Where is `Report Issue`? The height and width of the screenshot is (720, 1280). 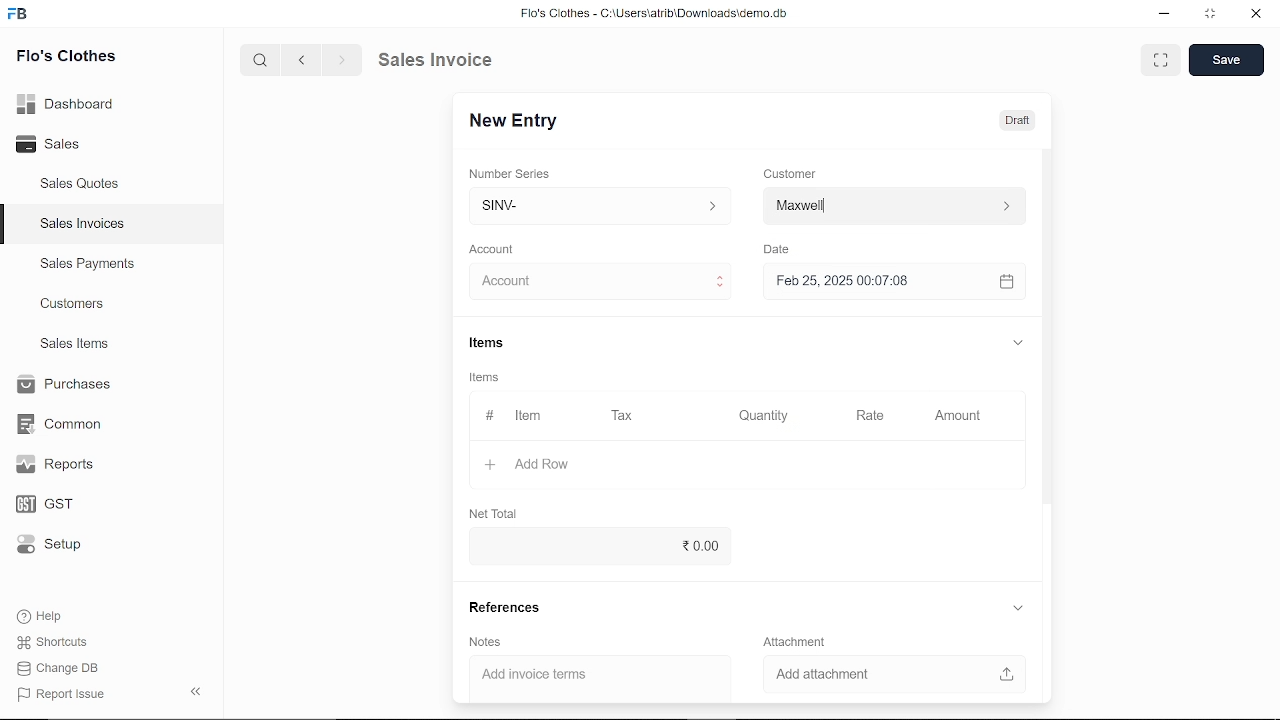
Report Issue is located at coordinates (61, 693).